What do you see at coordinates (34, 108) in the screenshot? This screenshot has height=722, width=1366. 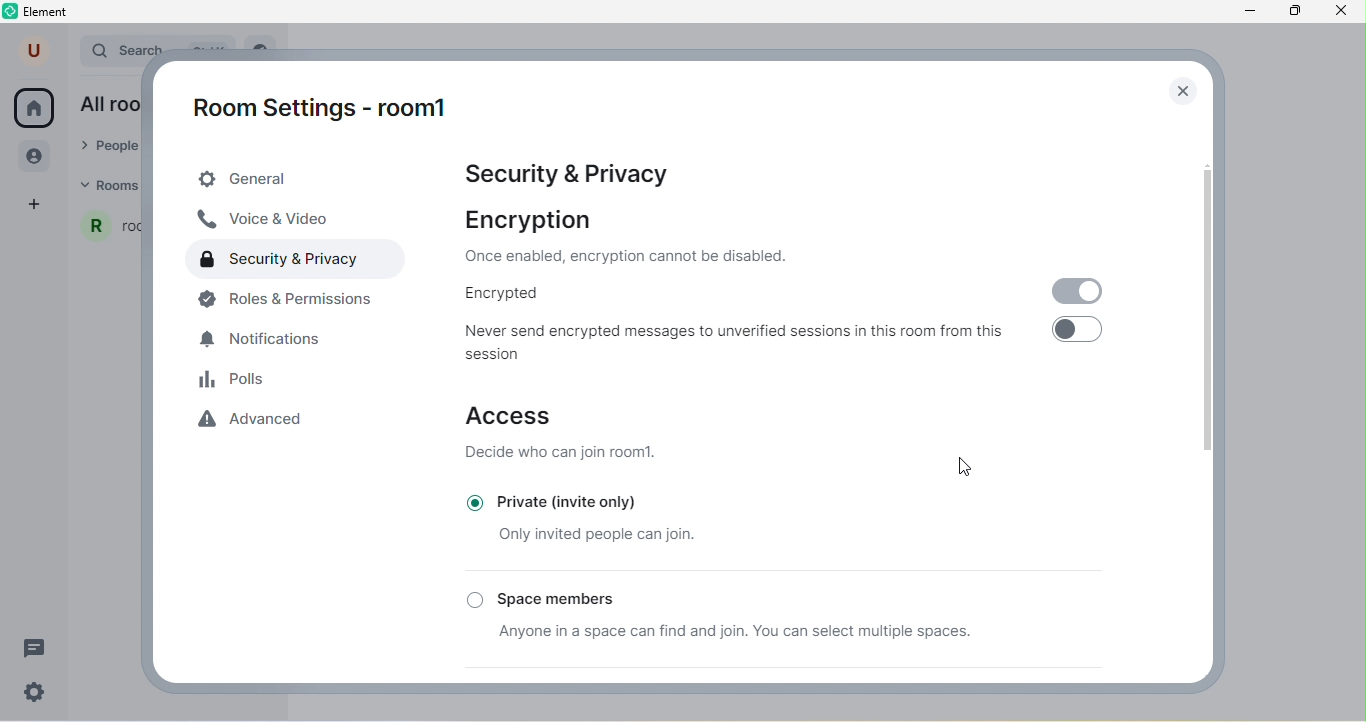 I see `home` at bounding box center [34, 108].